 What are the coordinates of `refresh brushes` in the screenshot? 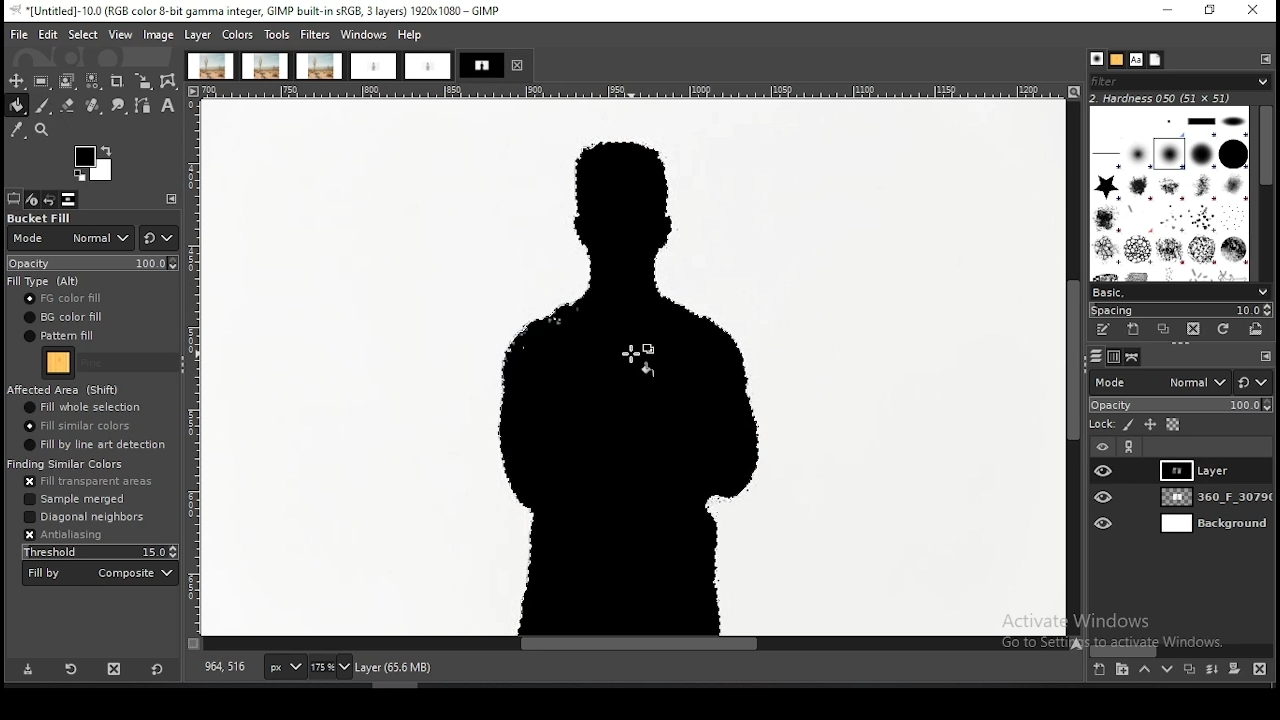 It's located at (1221, 330).